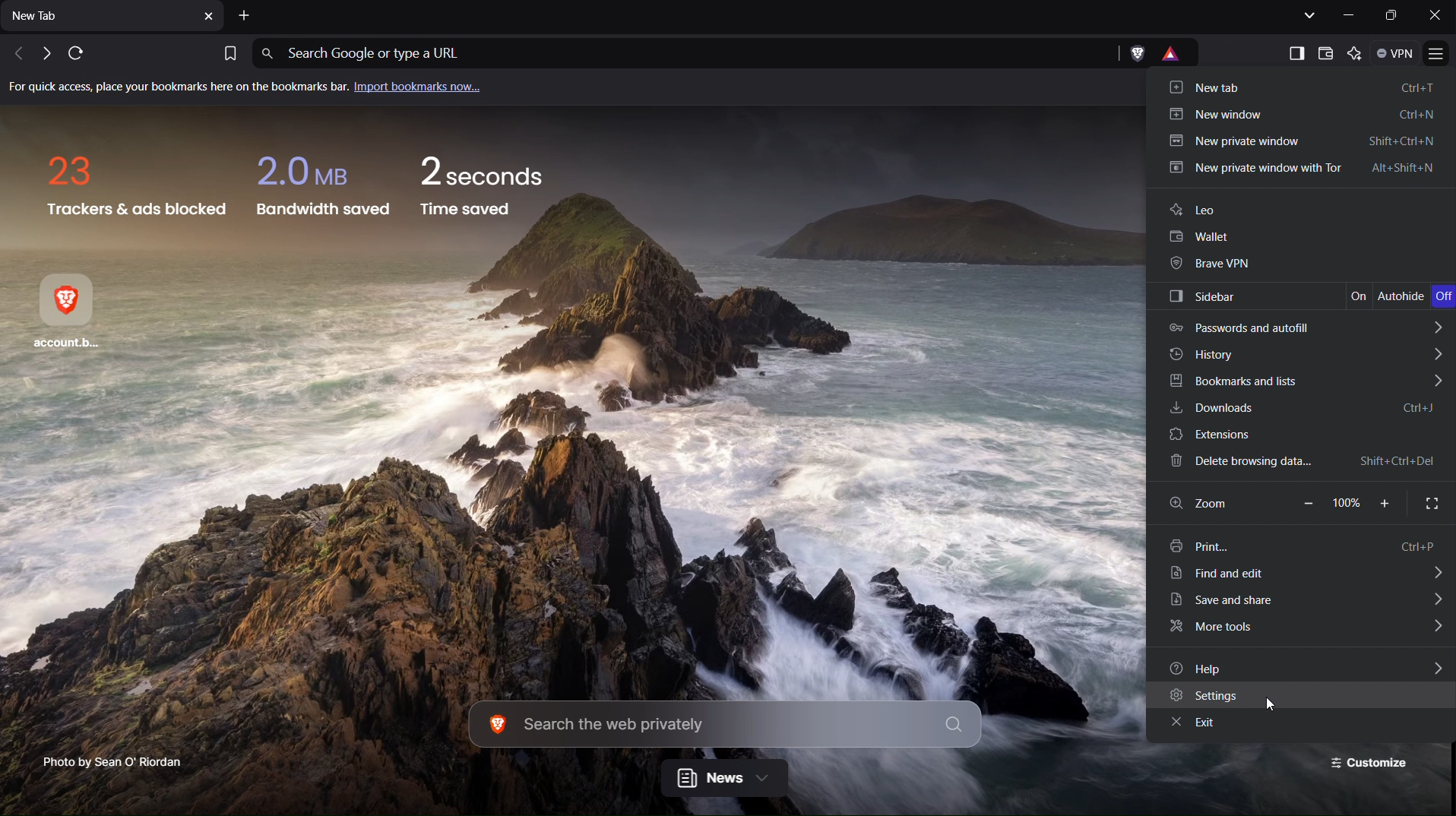  What do you see at coordinates (1307, 15) in the screenshot?
I see `List all tabs` at bounding box center [1307, 15].